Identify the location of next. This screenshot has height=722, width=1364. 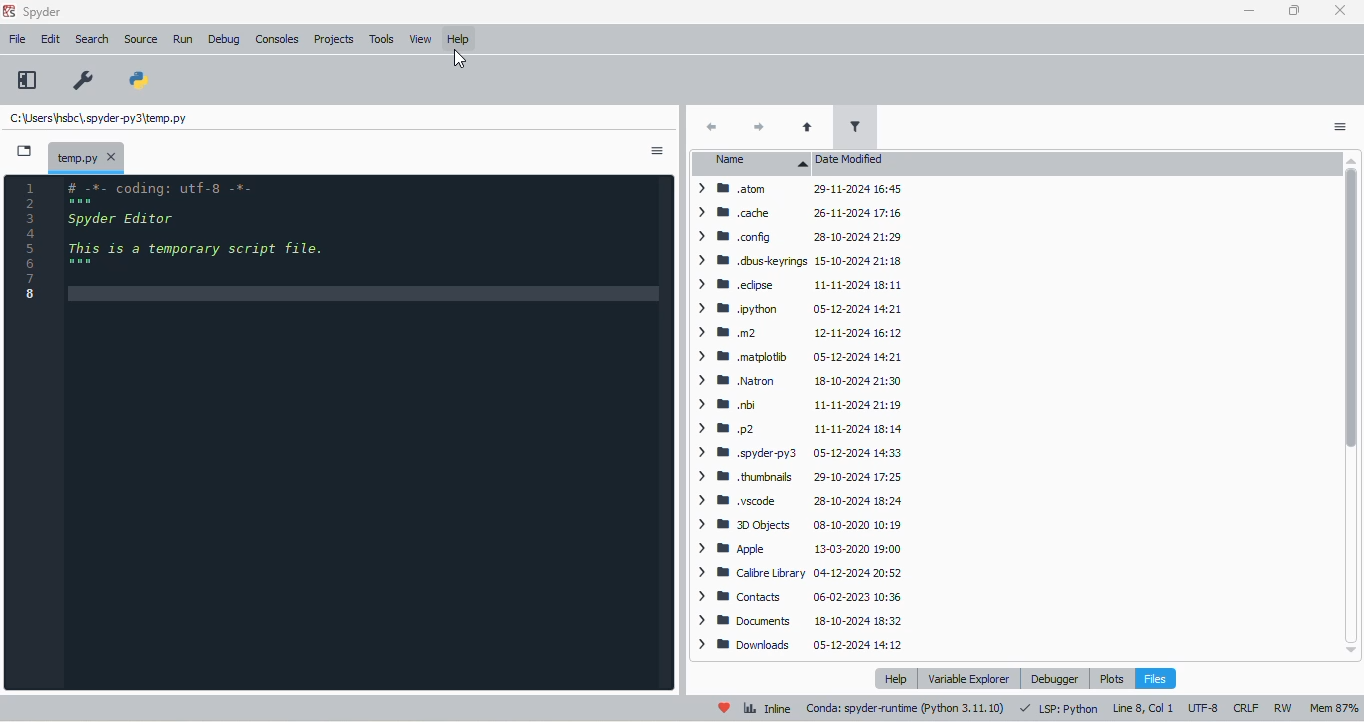
(757, 127).